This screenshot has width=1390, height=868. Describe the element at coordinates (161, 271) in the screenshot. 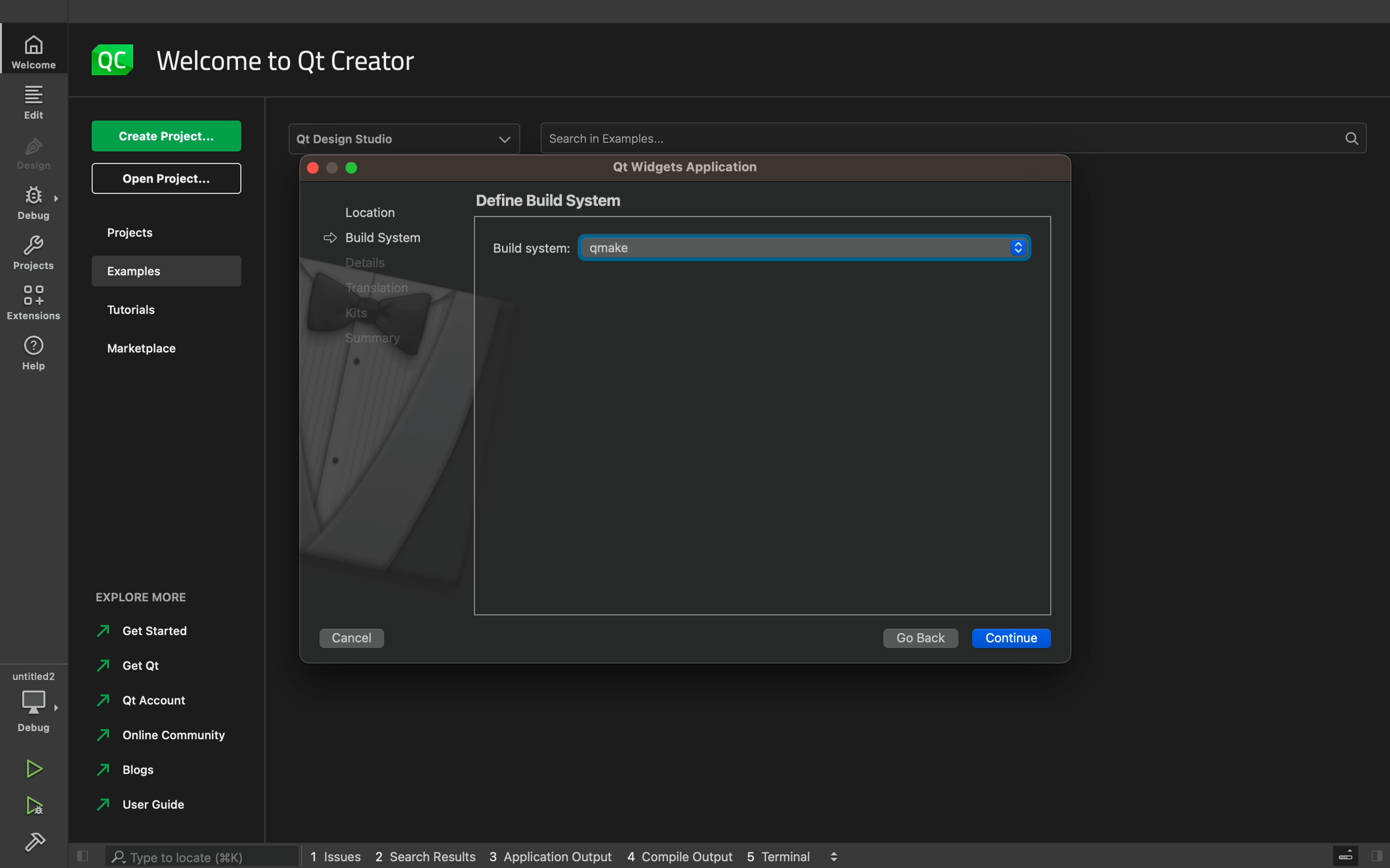

I see `examples` at that location.